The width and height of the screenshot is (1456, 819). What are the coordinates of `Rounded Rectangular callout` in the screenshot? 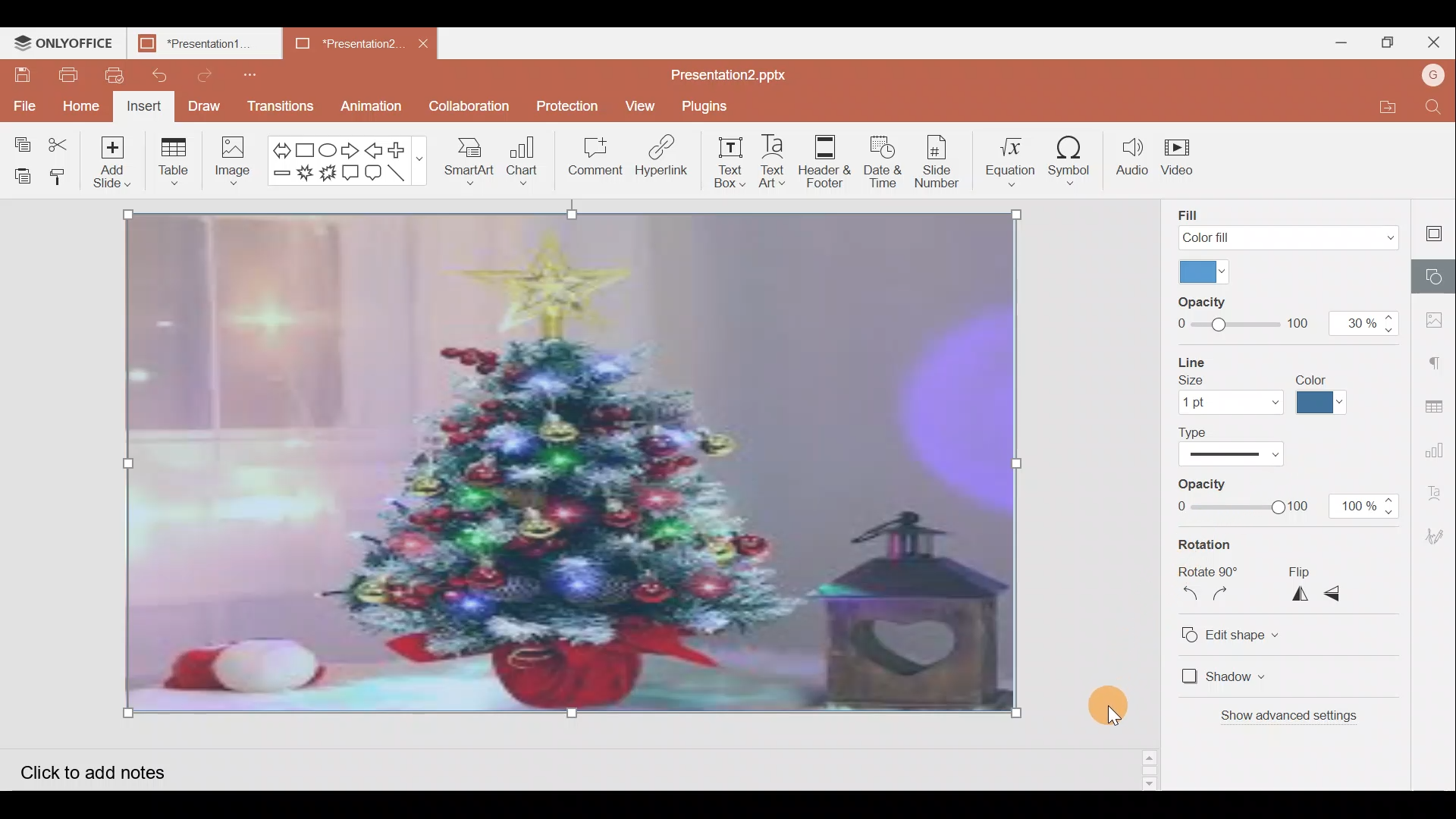 It's located at (375, 174).